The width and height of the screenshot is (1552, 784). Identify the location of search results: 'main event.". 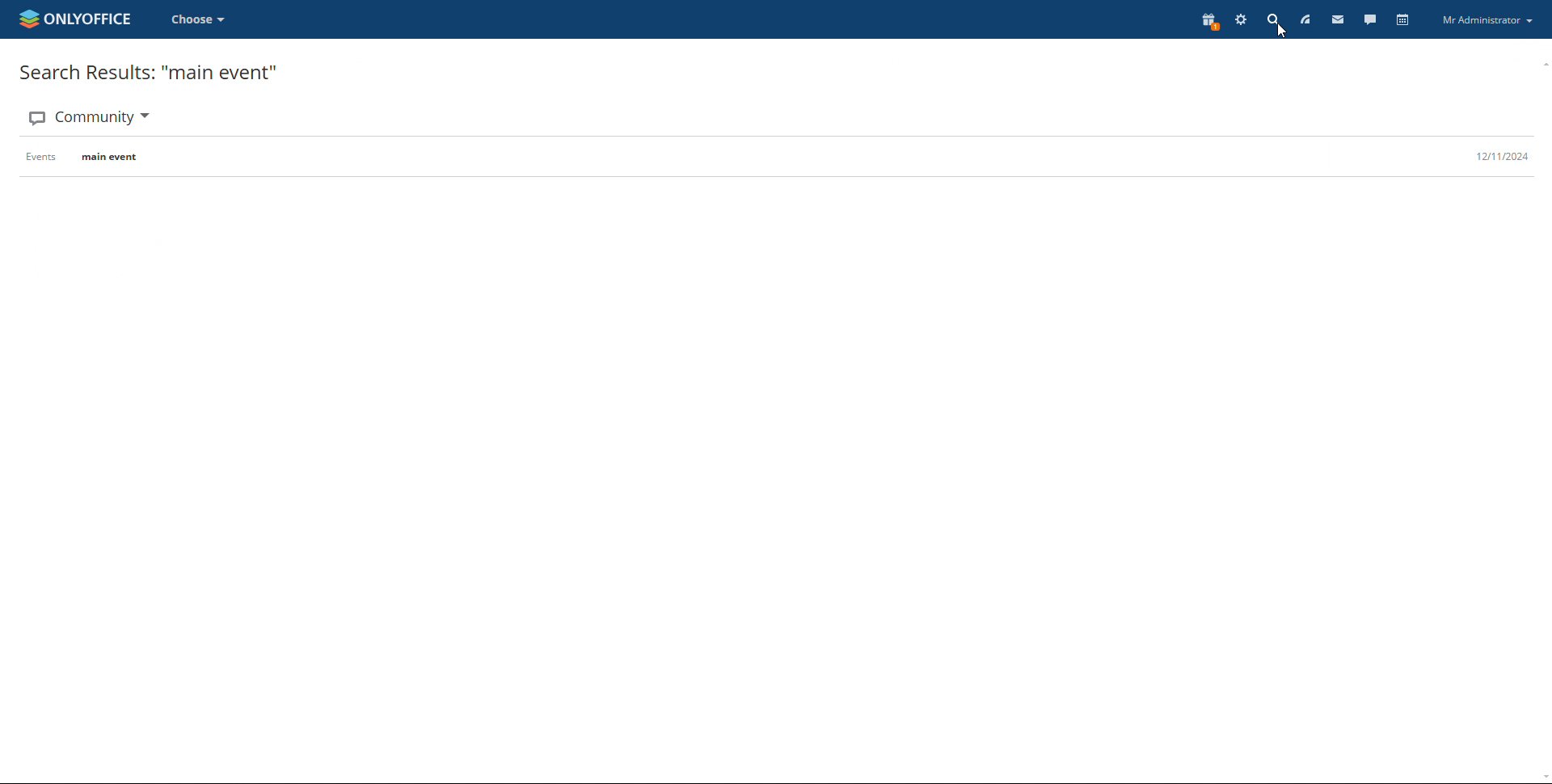
(146, 72).